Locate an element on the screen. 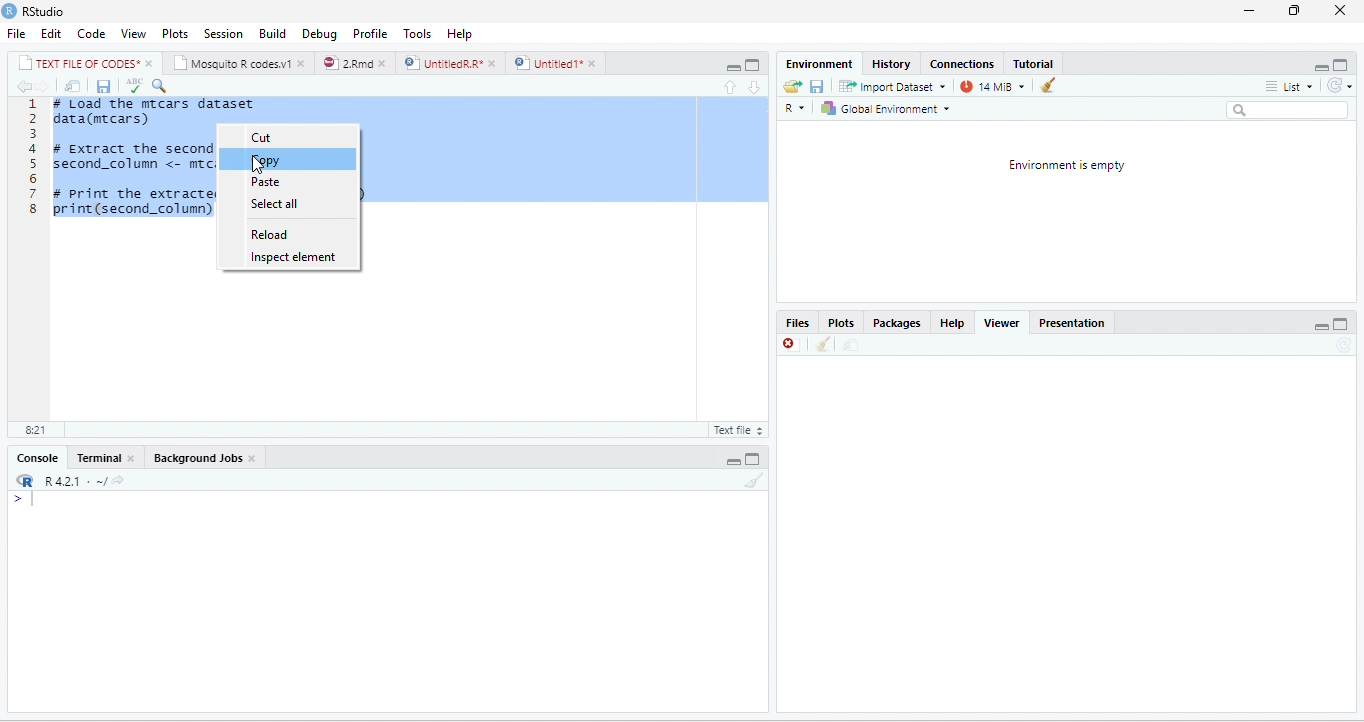 The height and width of the screenshot is (722, 1364). downward is located at coordinates (755, 87).